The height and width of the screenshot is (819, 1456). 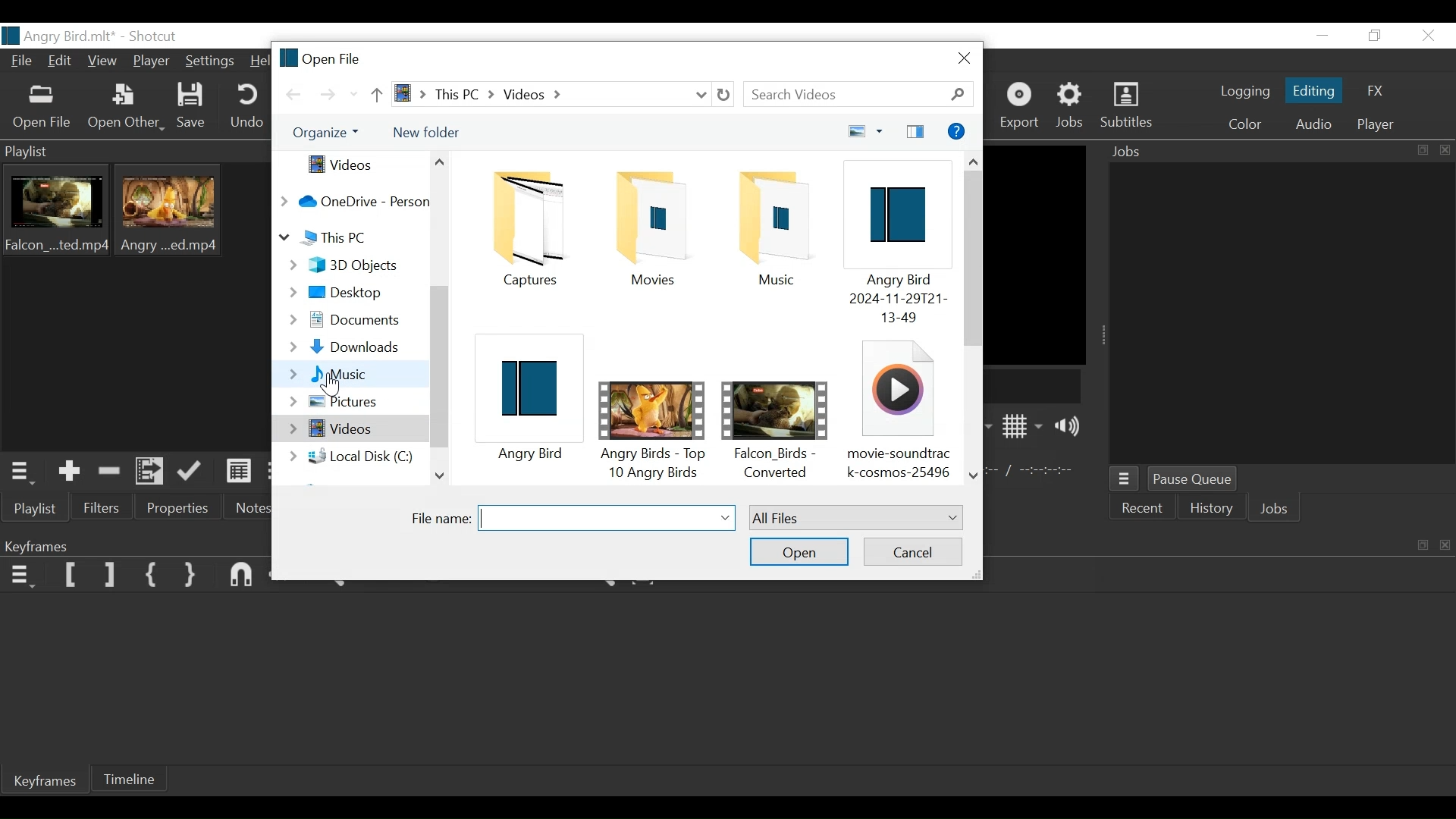 I want to click on Select type of file, so click(x=854, y=518).